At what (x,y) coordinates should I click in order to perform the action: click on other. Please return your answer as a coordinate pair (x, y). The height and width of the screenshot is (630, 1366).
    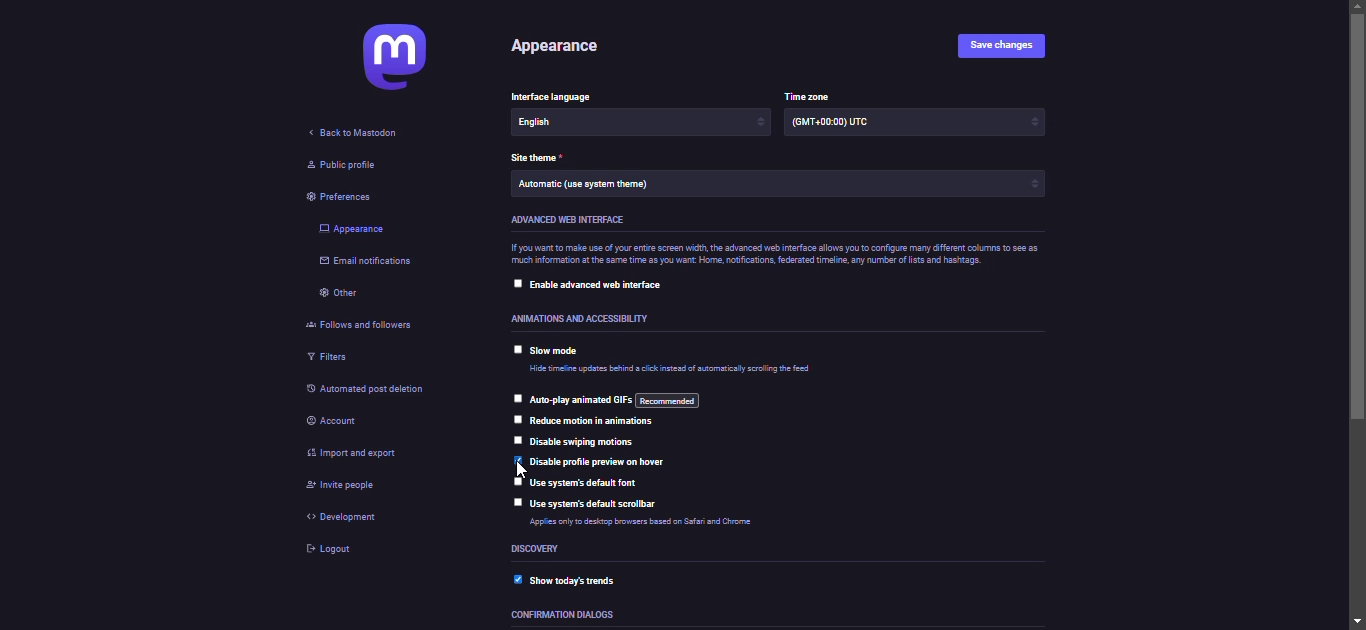
    Looking at the image, I should click on (338, 295).